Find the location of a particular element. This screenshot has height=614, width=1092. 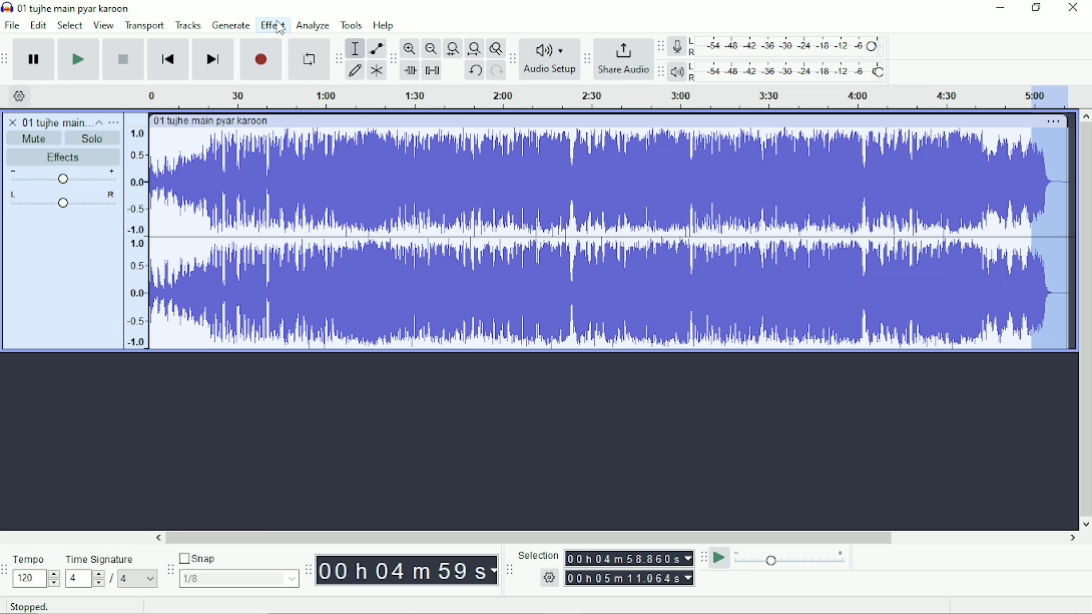

Snap is located at coordinates (239, 559).